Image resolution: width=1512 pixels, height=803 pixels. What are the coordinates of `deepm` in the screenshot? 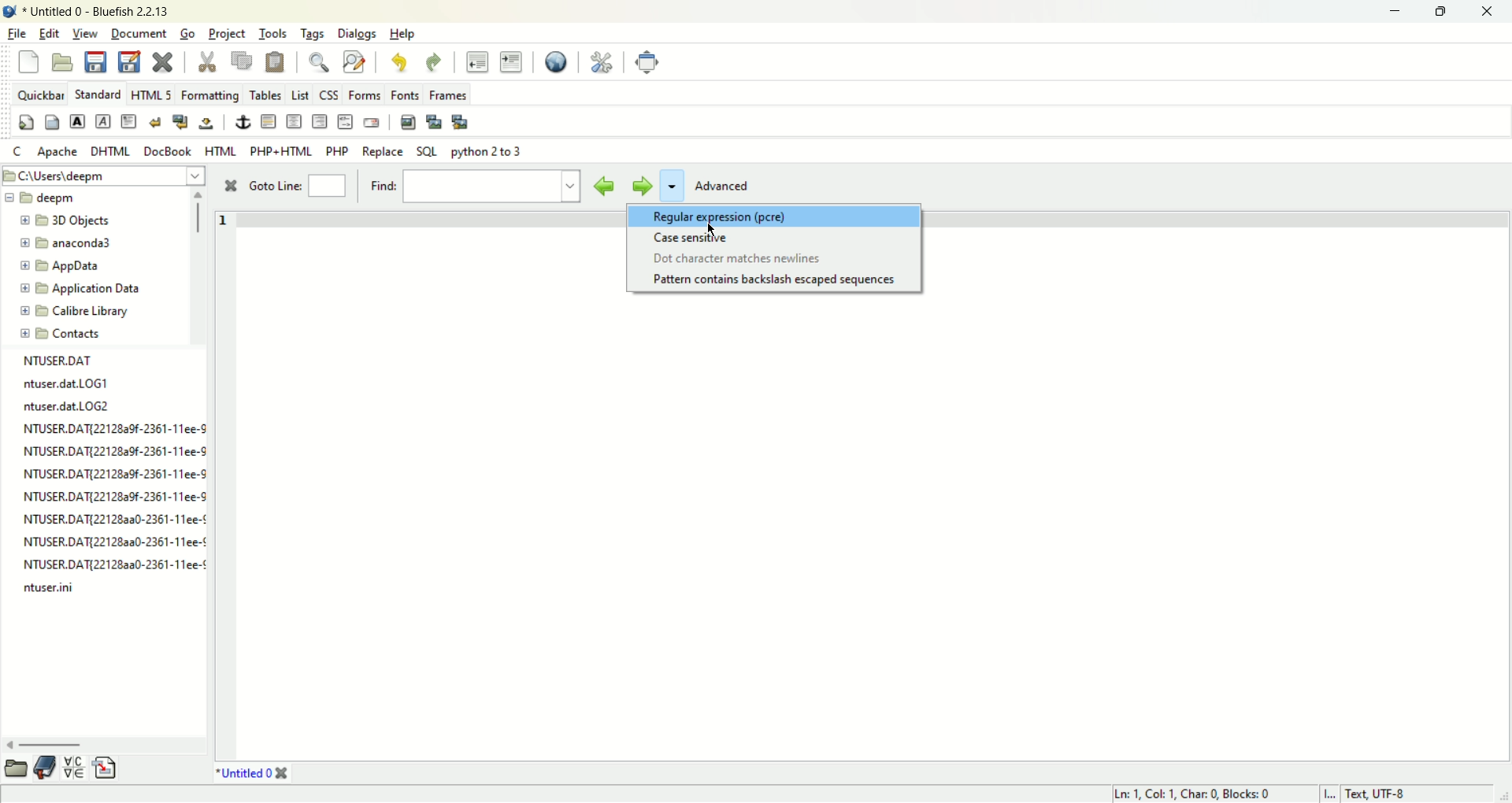 It's located at (55, 200).